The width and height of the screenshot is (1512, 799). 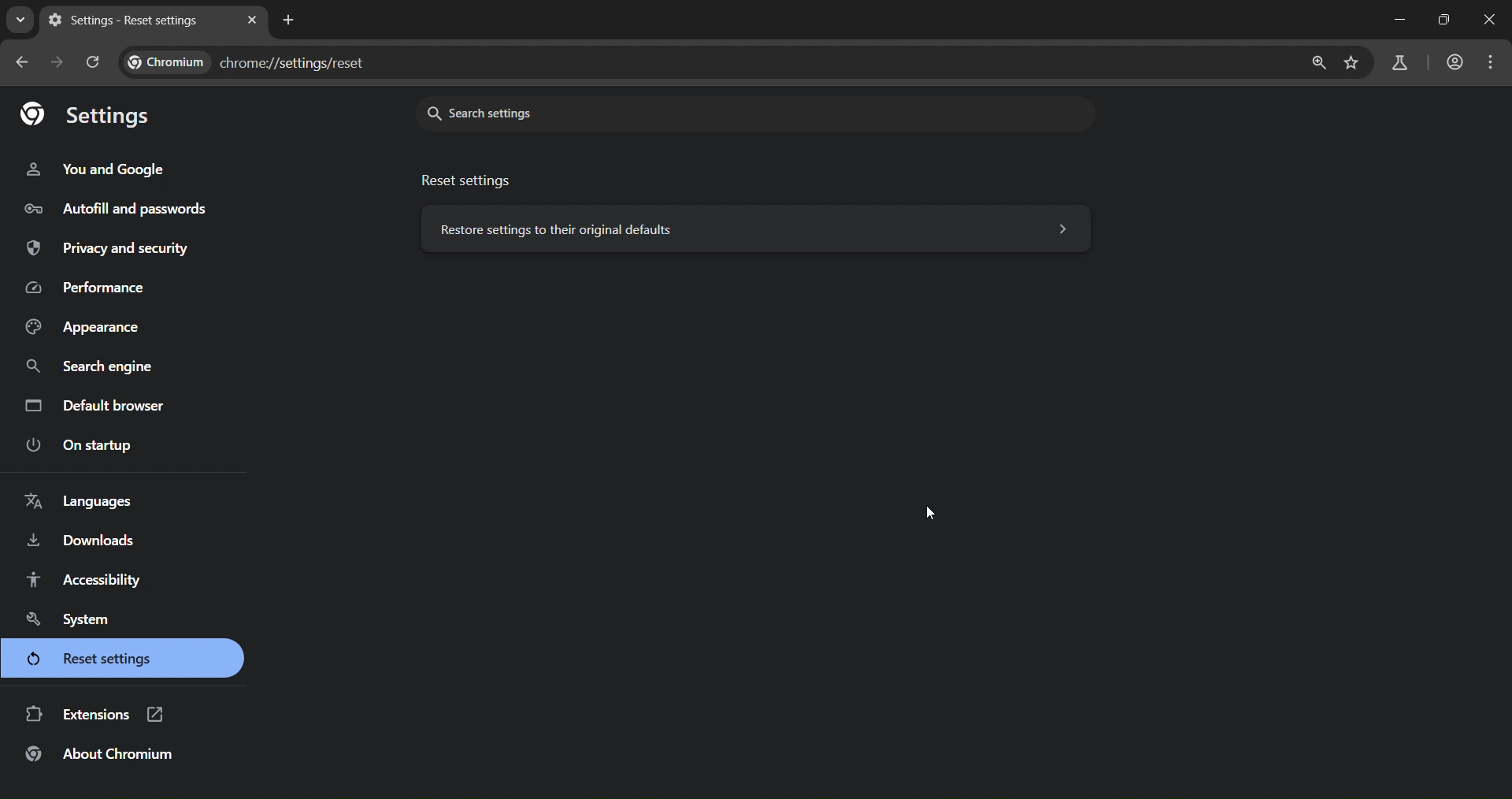 What do you see at coordinates (82, 500) in the screenshot?
I see `languages` at bounding box center [82, 500].